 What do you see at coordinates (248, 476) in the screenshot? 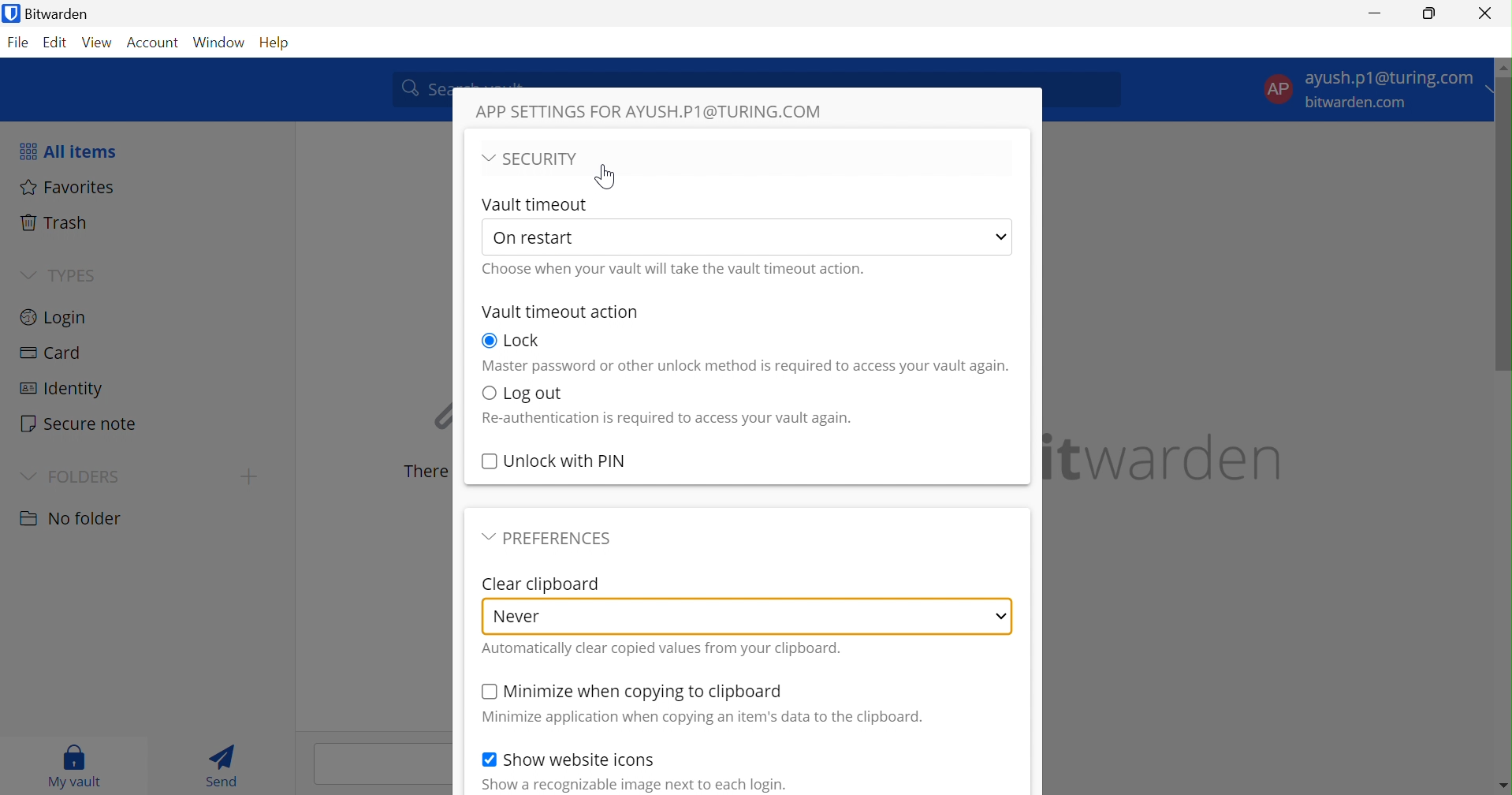
I see `create folder` at bounding box center [248, 476].